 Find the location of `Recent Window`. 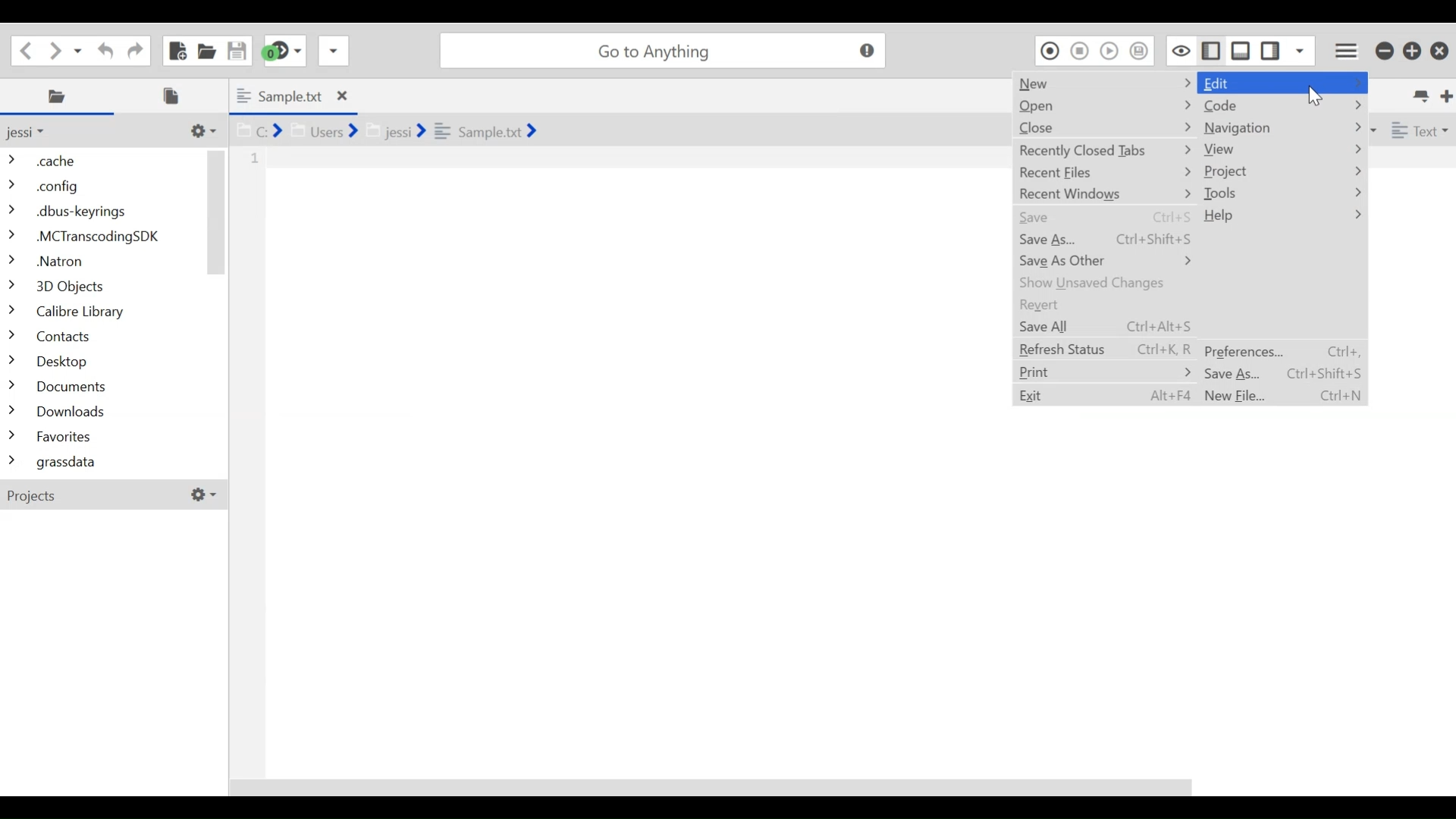

Recent Window is located at coordinates (1103, 193).